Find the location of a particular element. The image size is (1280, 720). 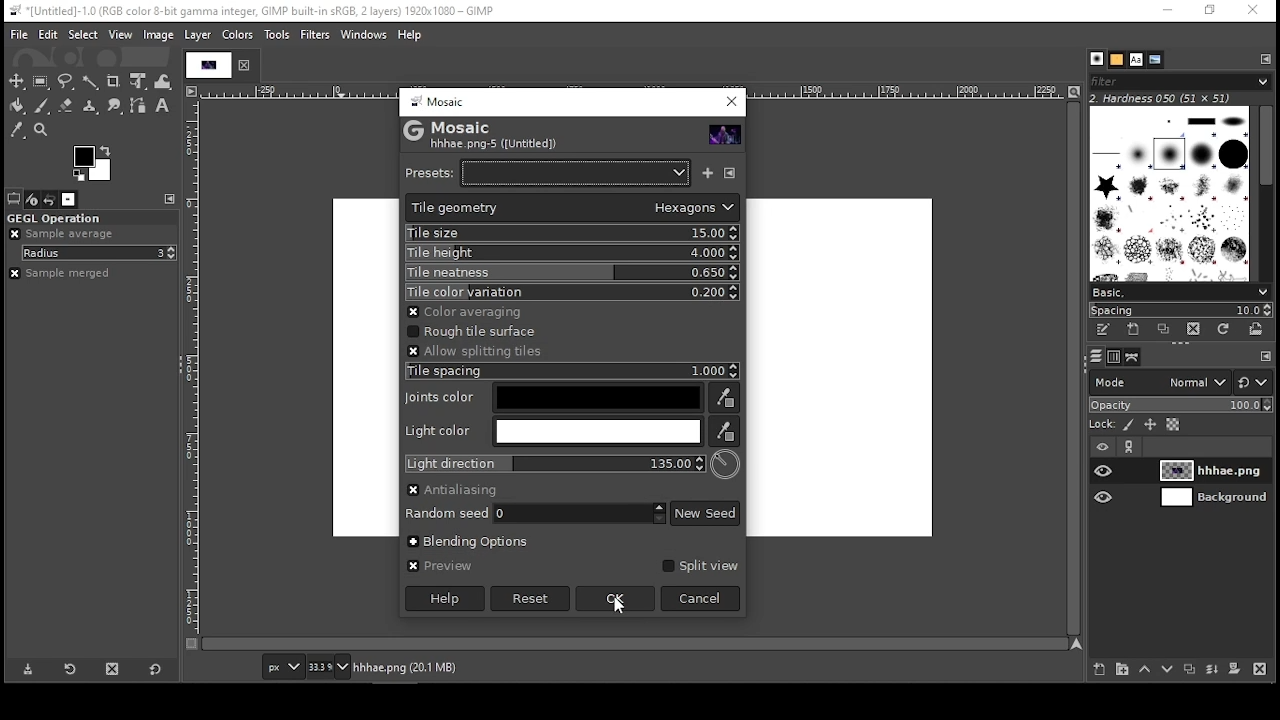

help is located at coordinates (445, 598).